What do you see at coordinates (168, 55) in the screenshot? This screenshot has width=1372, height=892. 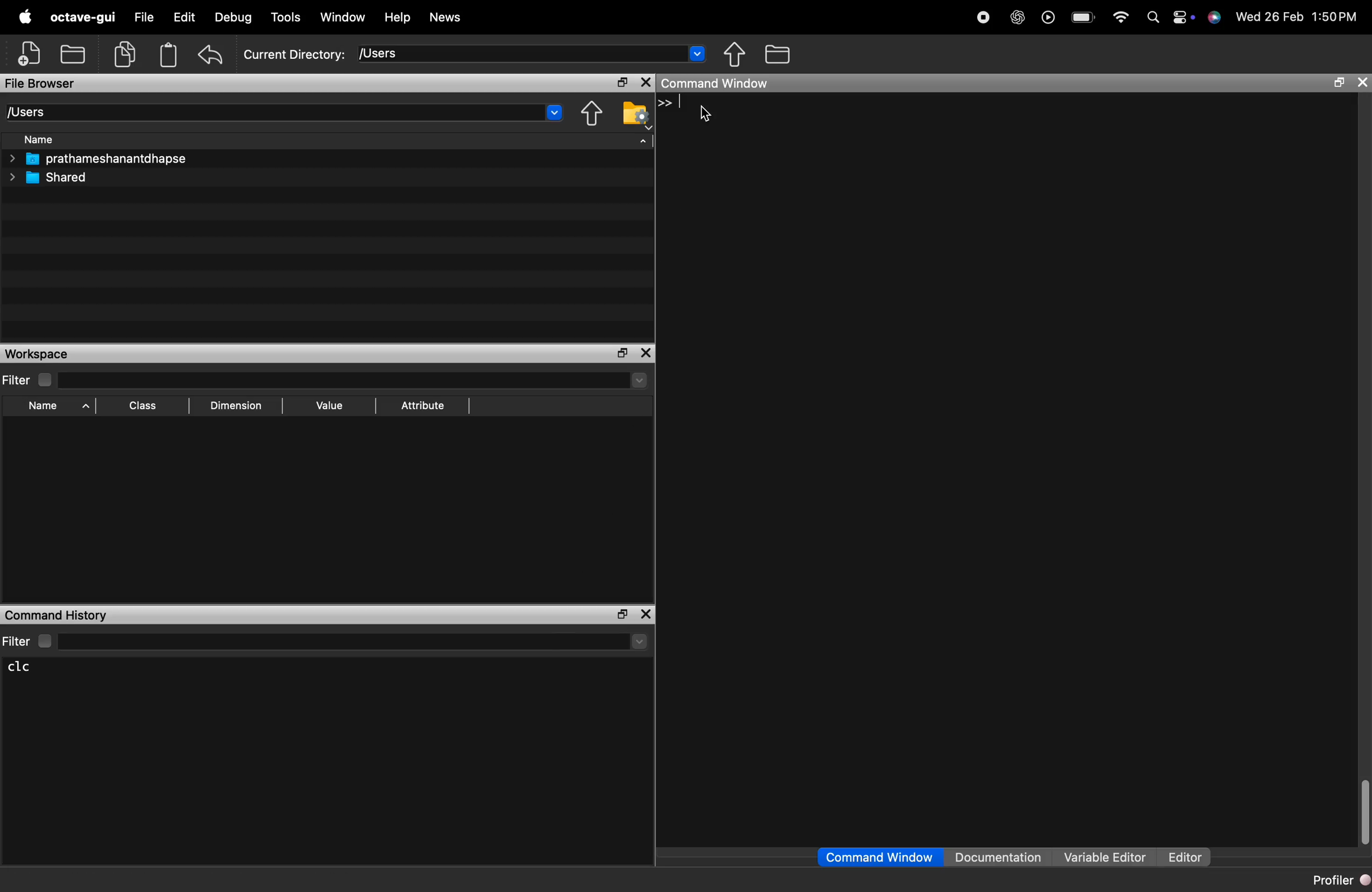 I see `paste` at bounding box center [168, 55].